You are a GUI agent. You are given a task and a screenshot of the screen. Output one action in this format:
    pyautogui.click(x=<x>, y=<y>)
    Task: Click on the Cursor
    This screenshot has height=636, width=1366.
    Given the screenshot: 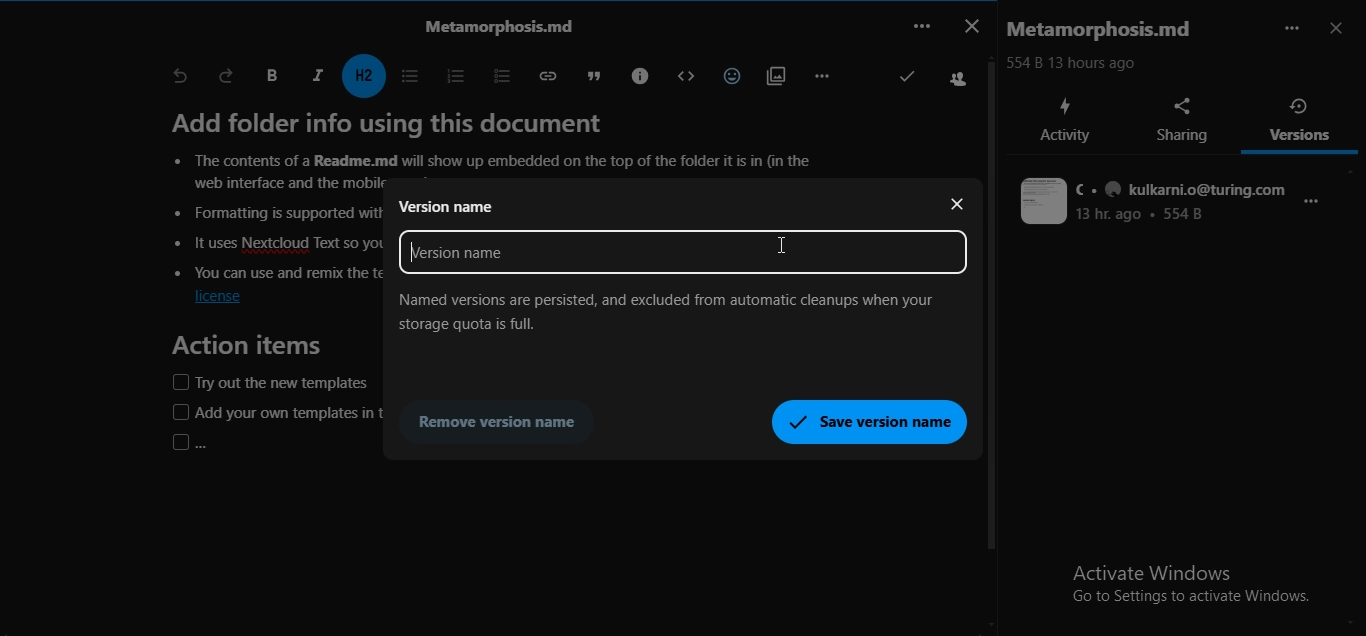 What is the action you would take?
    pyautogui.click(x=785, y=247)
    